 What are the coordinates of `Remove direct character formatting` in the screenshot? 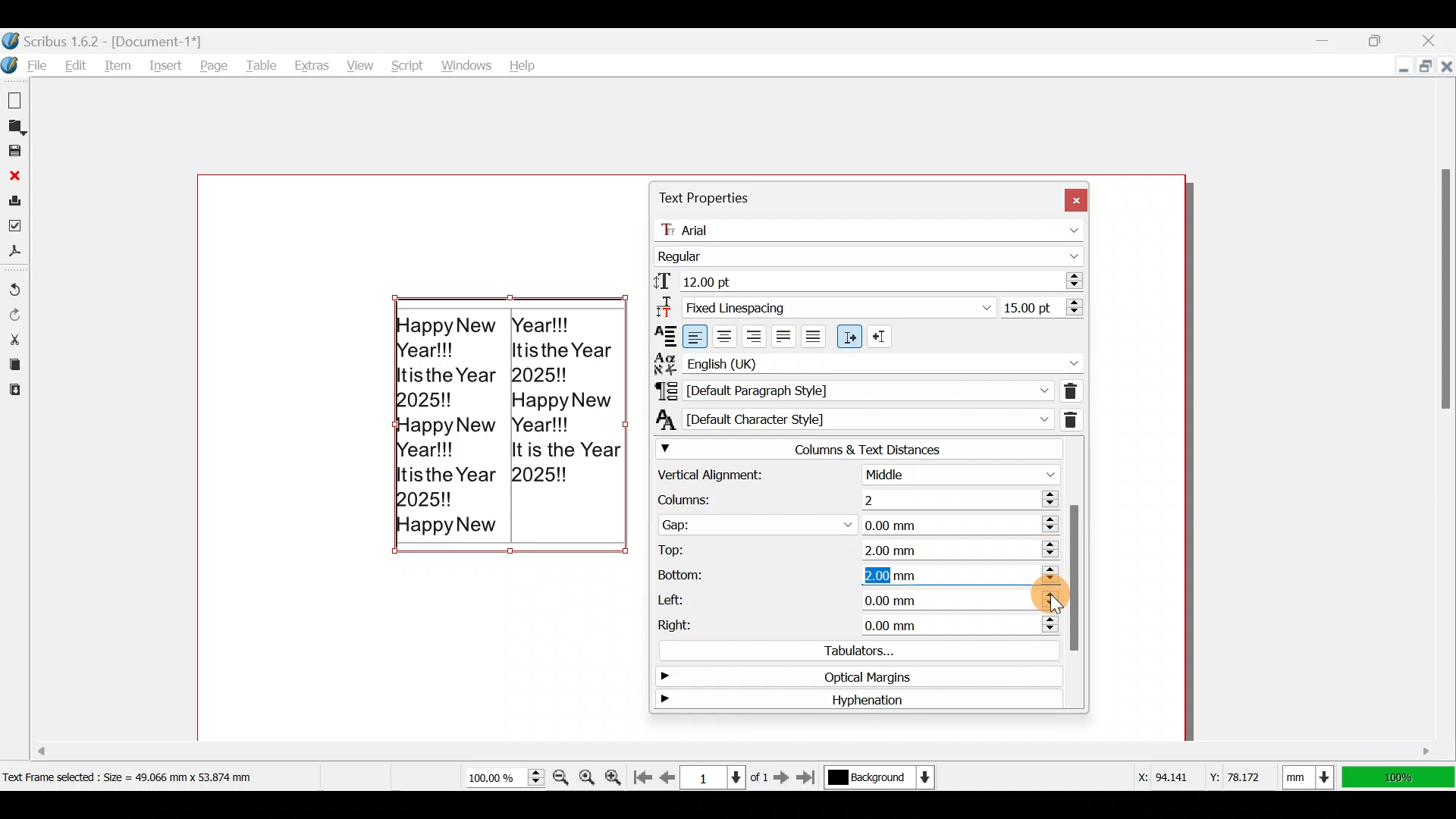 It's located at (1074, 417).